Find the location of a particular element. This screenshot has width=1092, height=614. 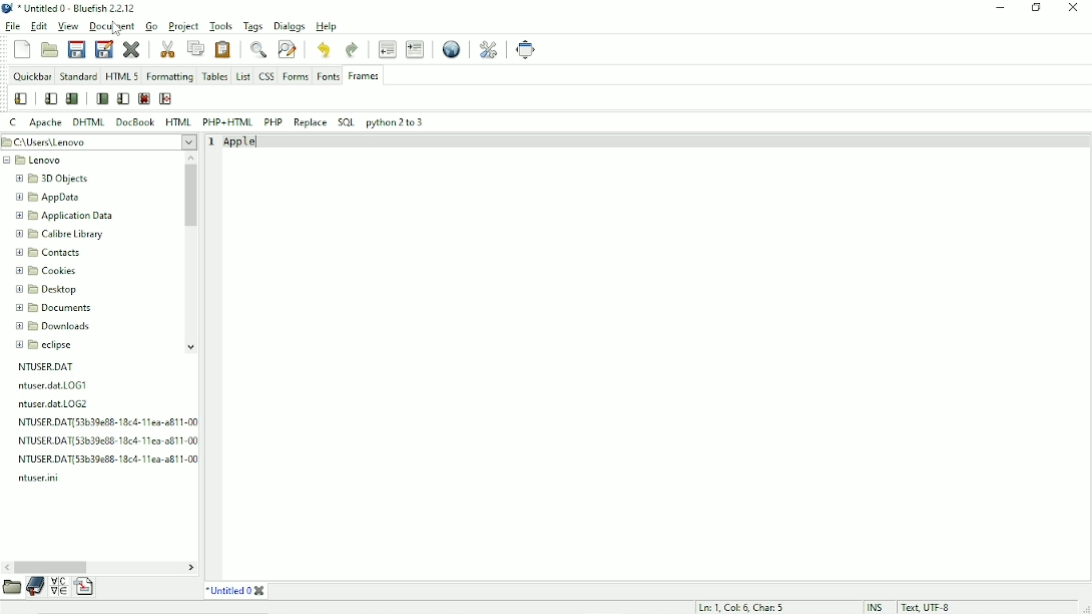

Tables is located at coordinates (215, 77).